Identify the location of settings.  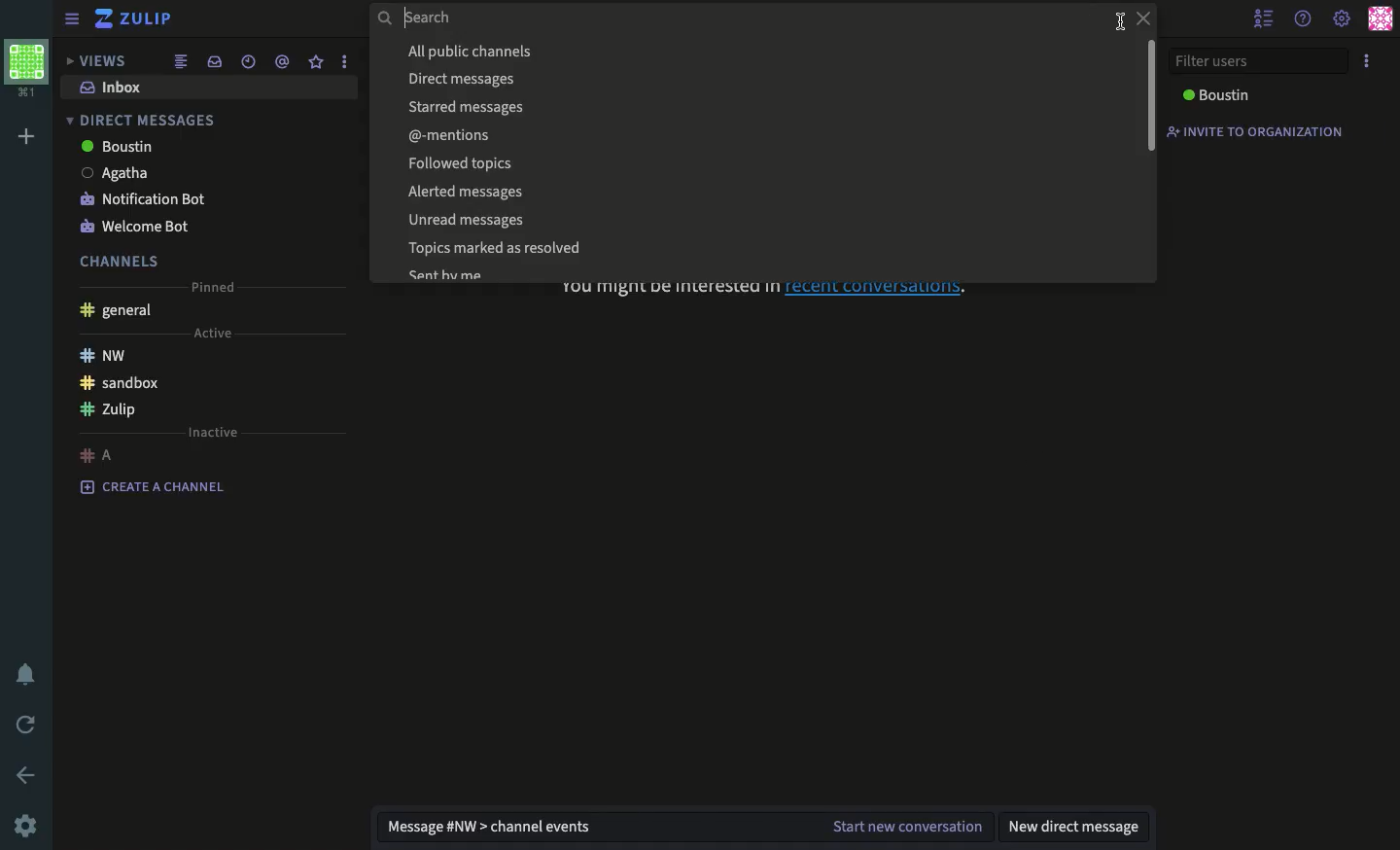
(29, 826).